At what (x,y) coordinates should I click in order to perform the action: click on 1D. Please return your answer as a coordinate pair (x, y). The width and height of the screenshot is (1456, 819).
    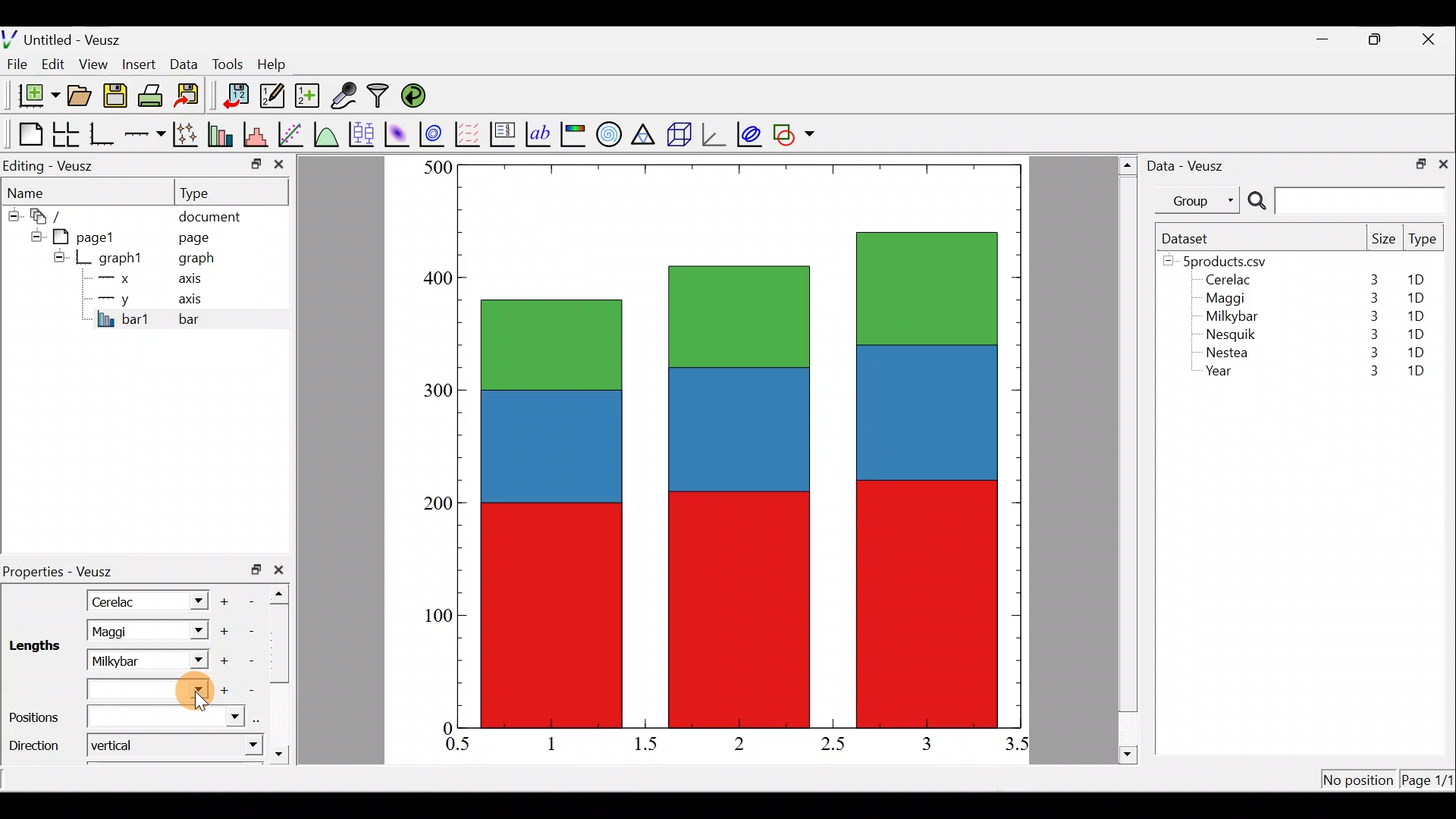
    Looking at the image, I should click on (1421, 280).